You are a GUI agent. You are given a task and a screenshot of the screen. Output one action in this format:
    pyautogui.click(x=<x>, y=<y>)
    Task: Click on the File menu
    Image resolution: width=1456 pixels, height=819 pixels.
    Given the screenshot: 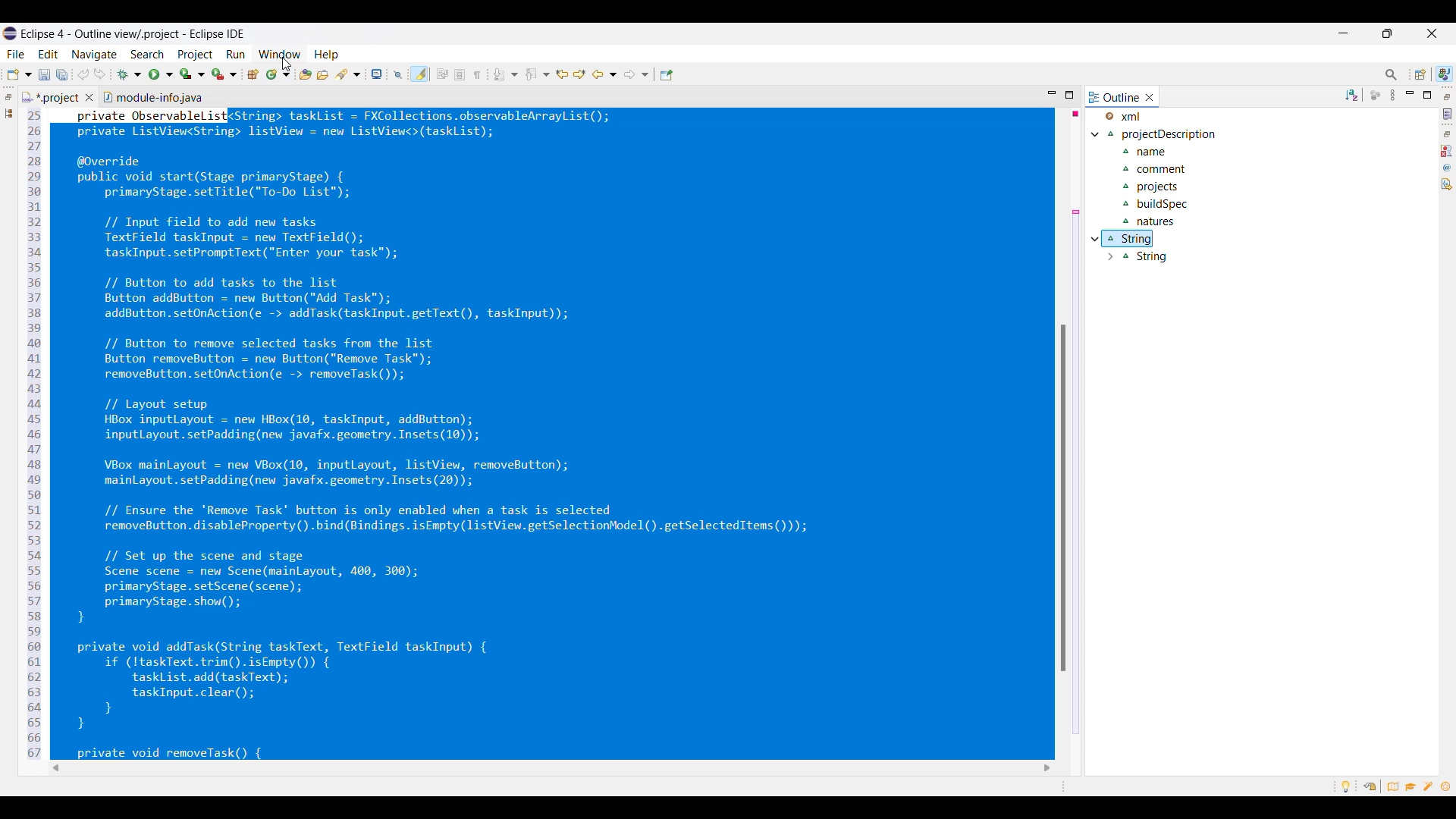 What is the action you would take?
    pyautogui.click(x=16, y=54)
    